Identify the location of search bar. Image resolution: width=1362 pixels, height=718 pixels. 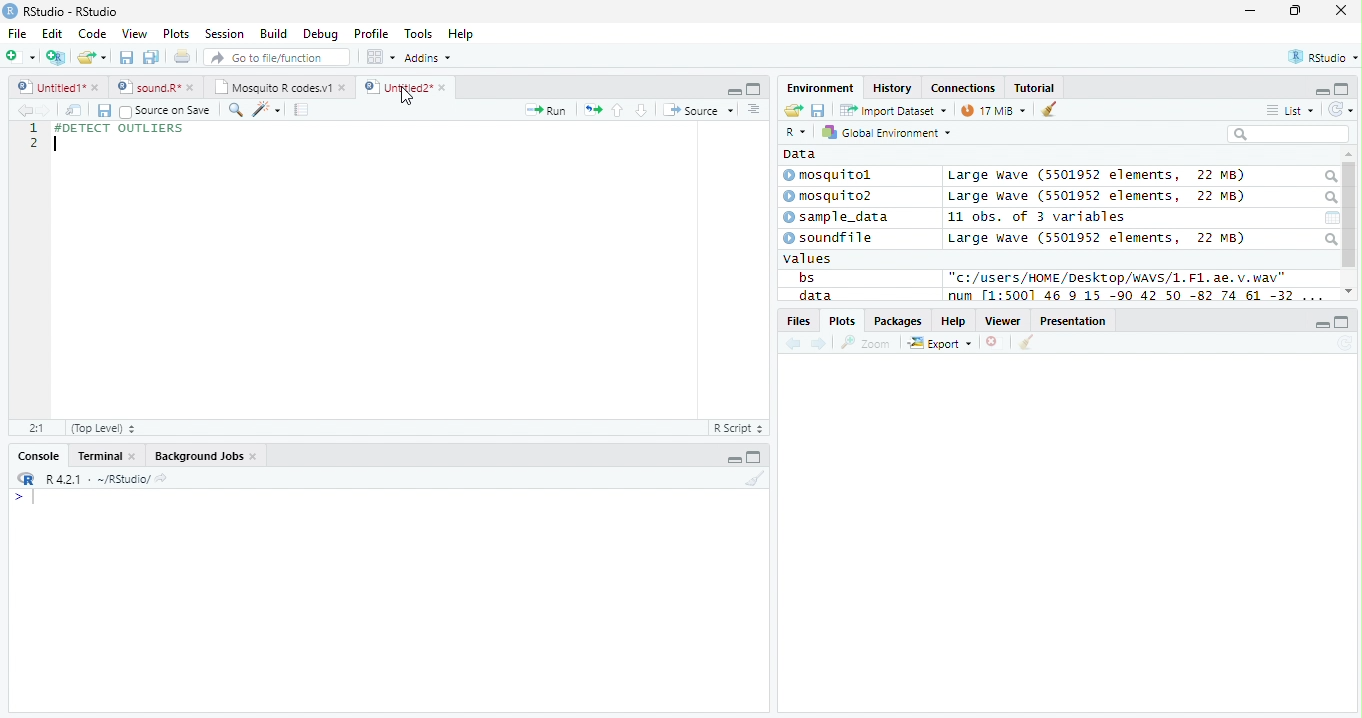
(1288, 133).